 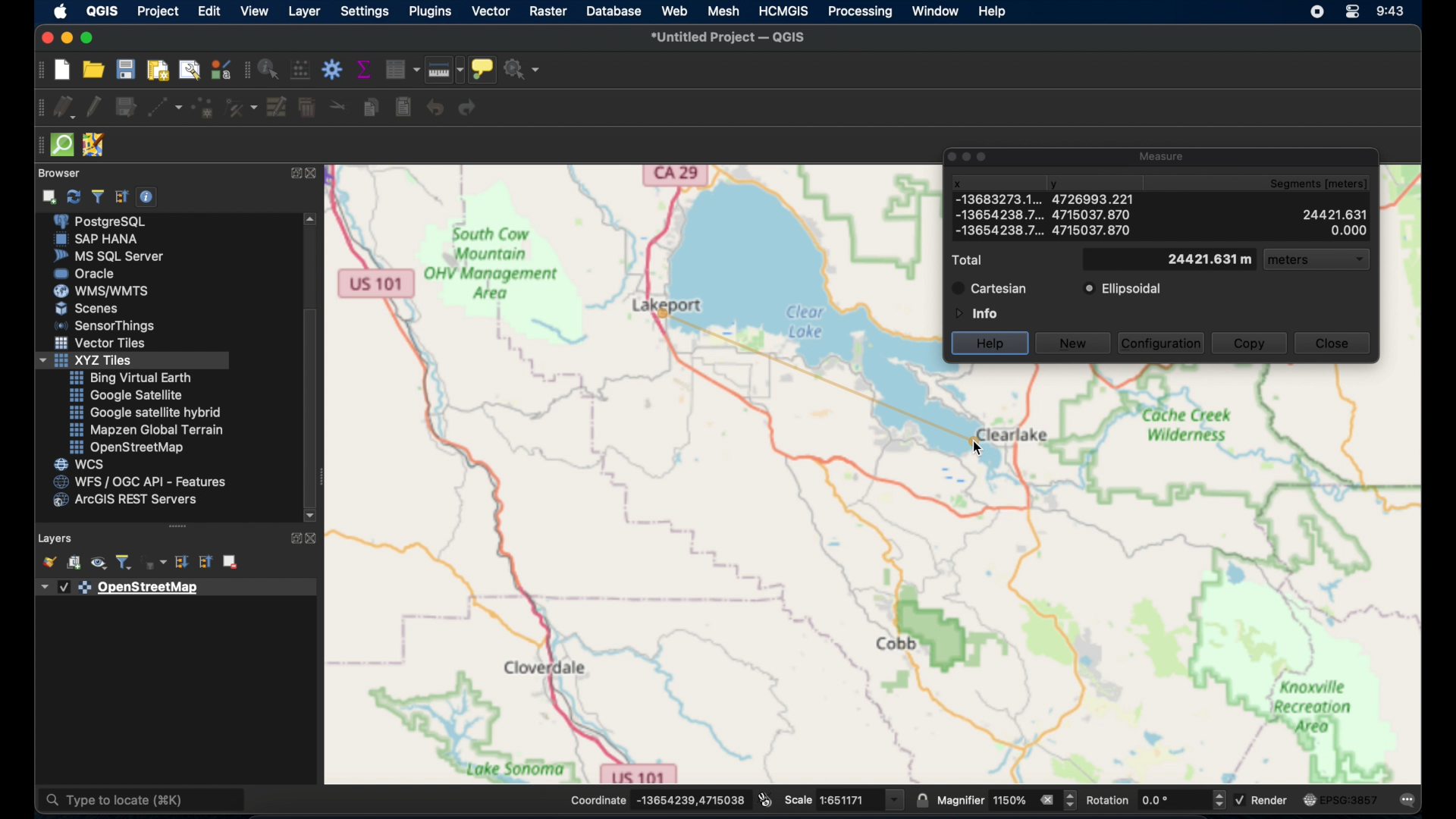 I want to click on scenes, so click(x=87, y=308).